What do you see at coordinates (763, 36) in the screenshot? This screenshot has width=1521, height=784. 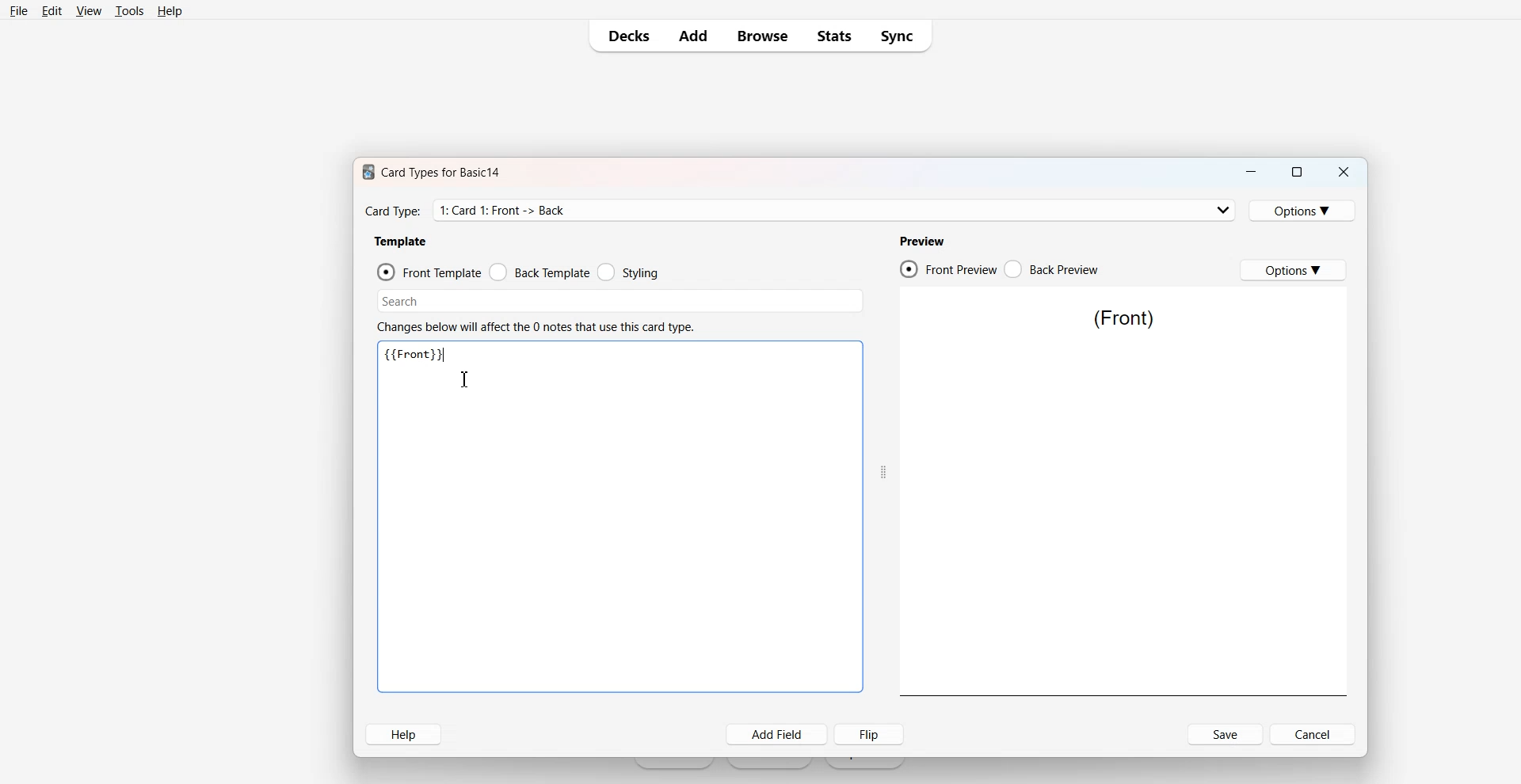 I see `Browse` at bounding box center [763, 36].